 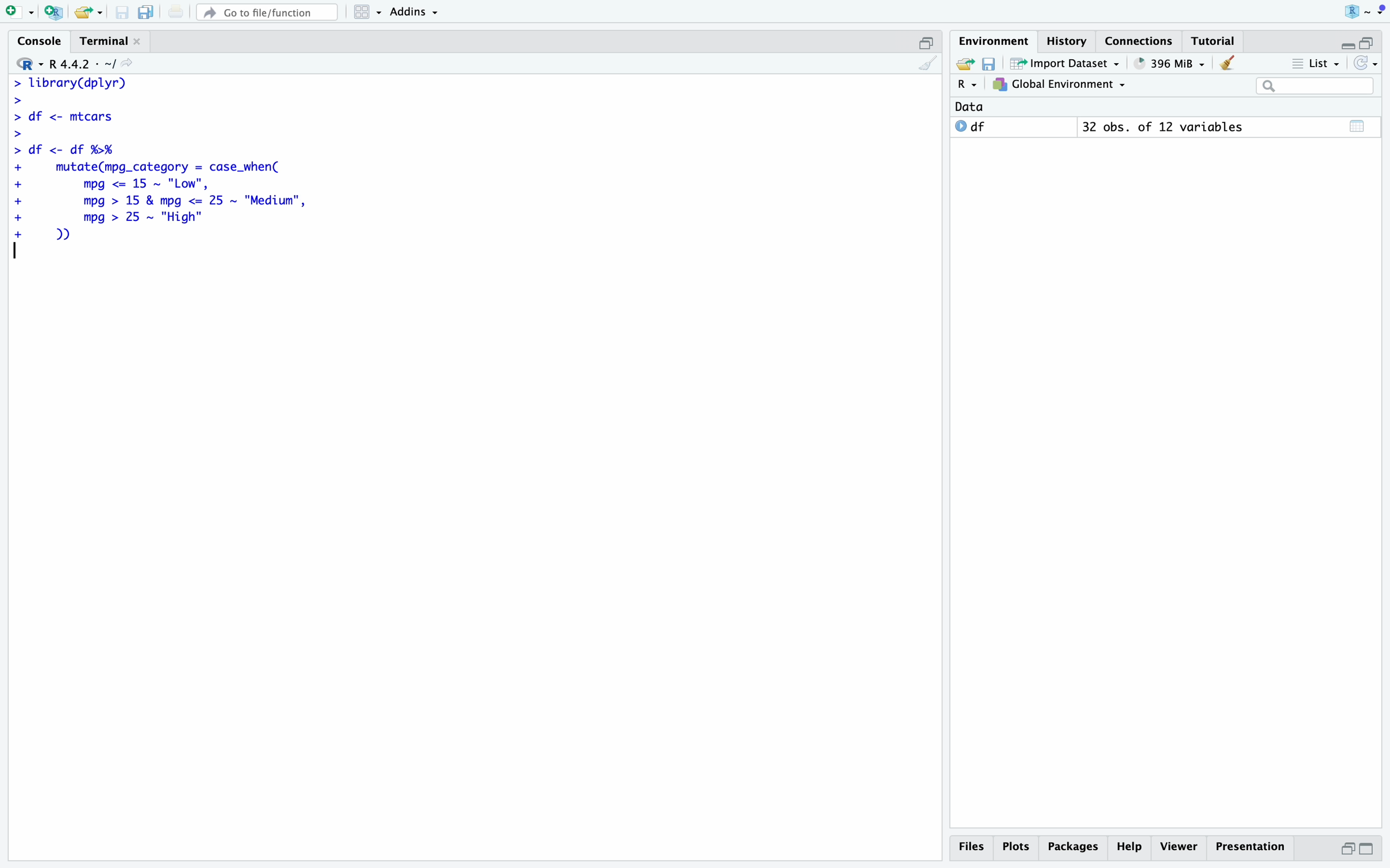 What do you see at coordinates (1226, 63) in the screenshot?
I see `clean` at bounding box center [1226, 63].